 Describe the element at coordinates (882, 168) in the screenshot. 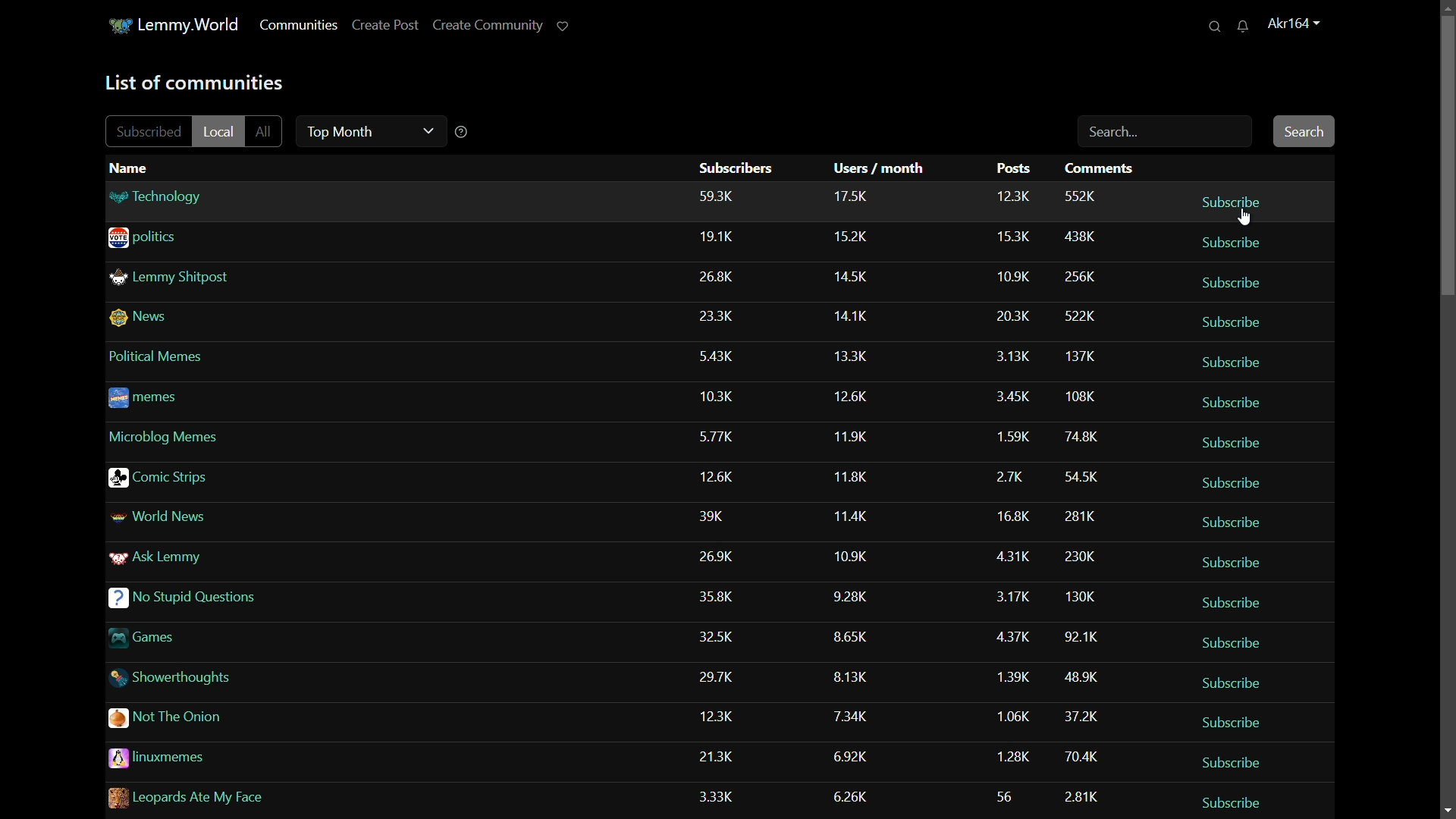

I see `users/month` at that location.